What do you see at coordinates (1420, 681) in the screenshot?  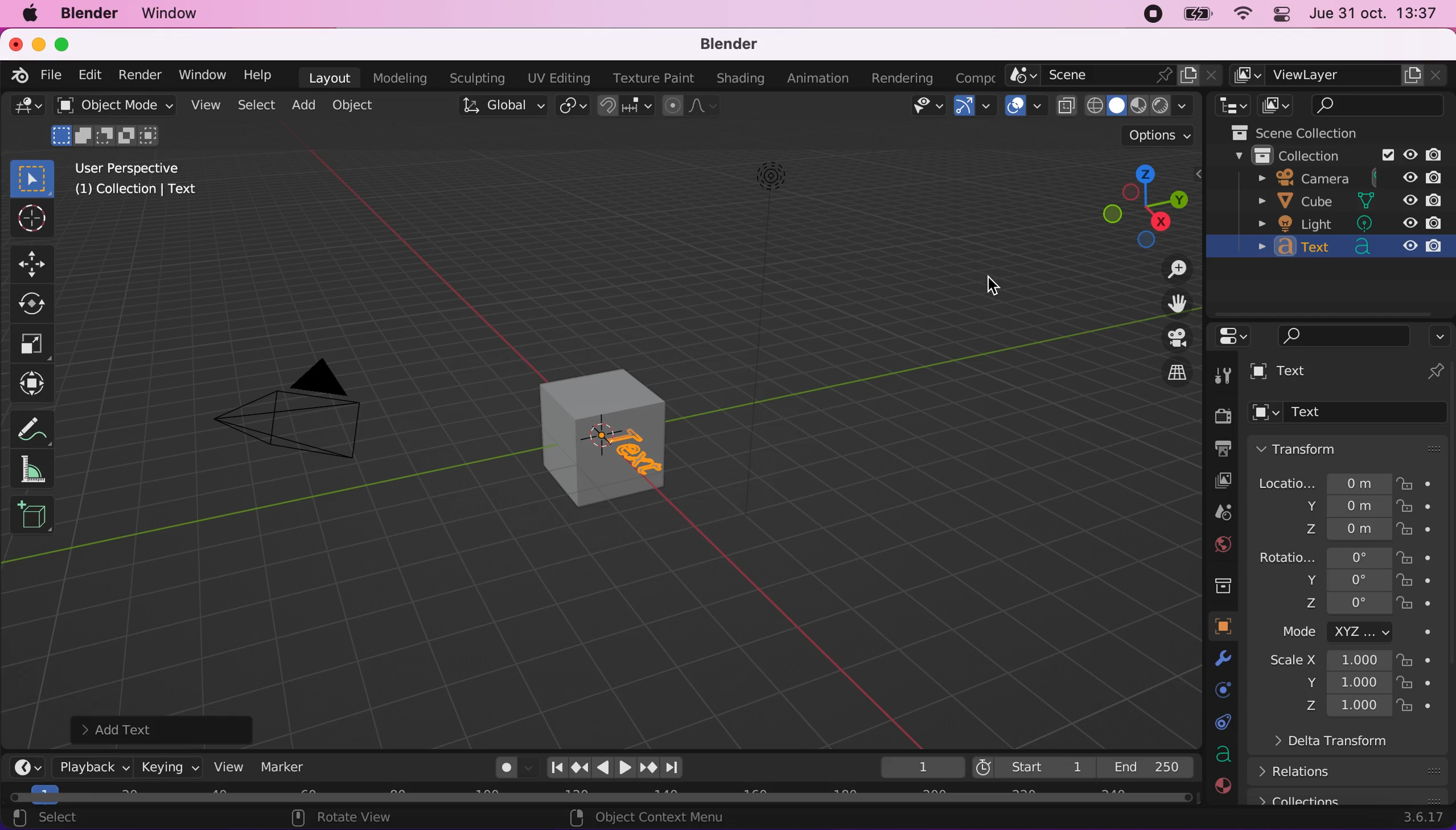 I see `lock button` at bounding box center [1420, 681].